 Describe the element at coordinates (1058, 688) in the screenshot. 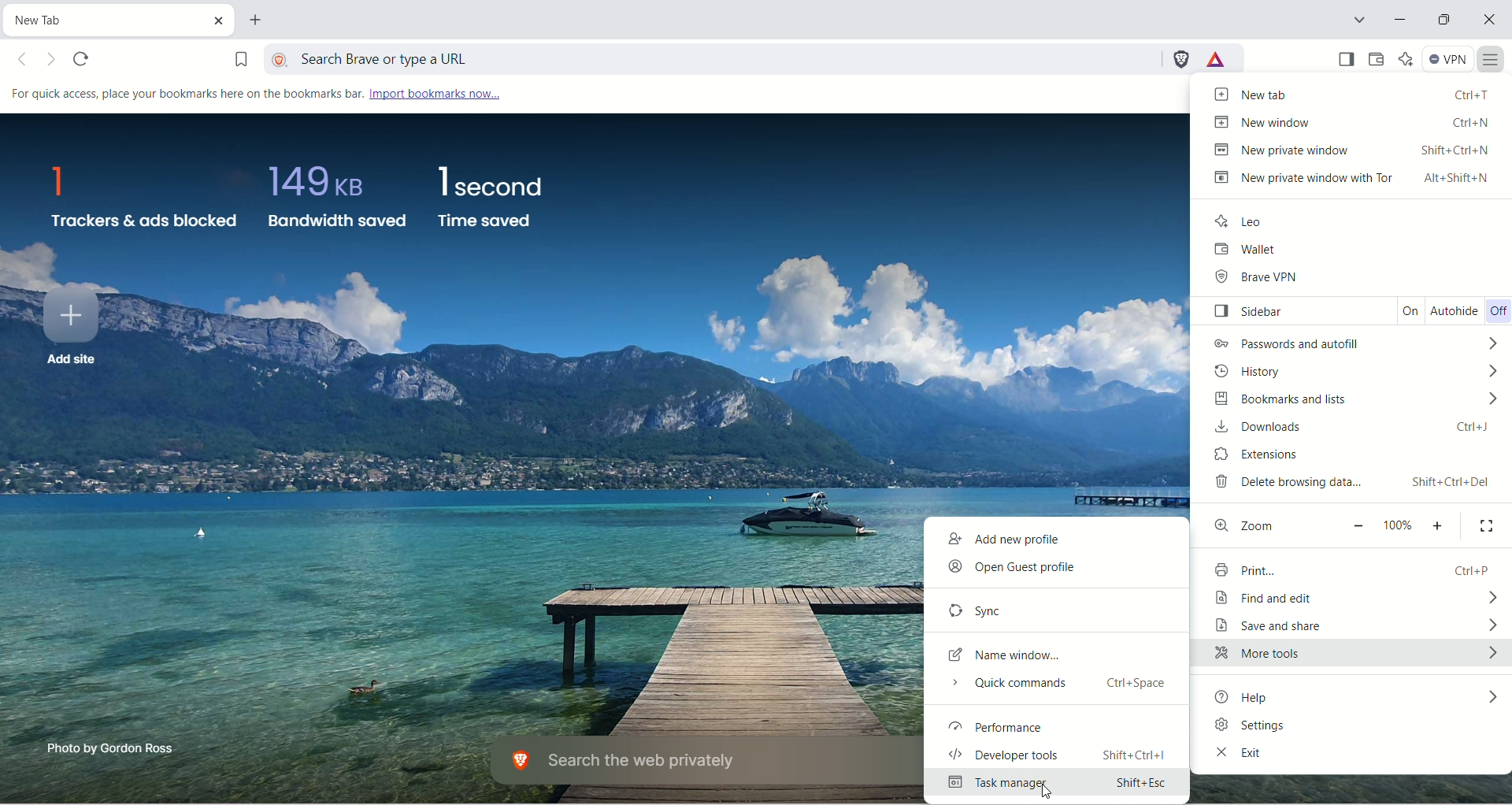

I see `quick commands` at that location.